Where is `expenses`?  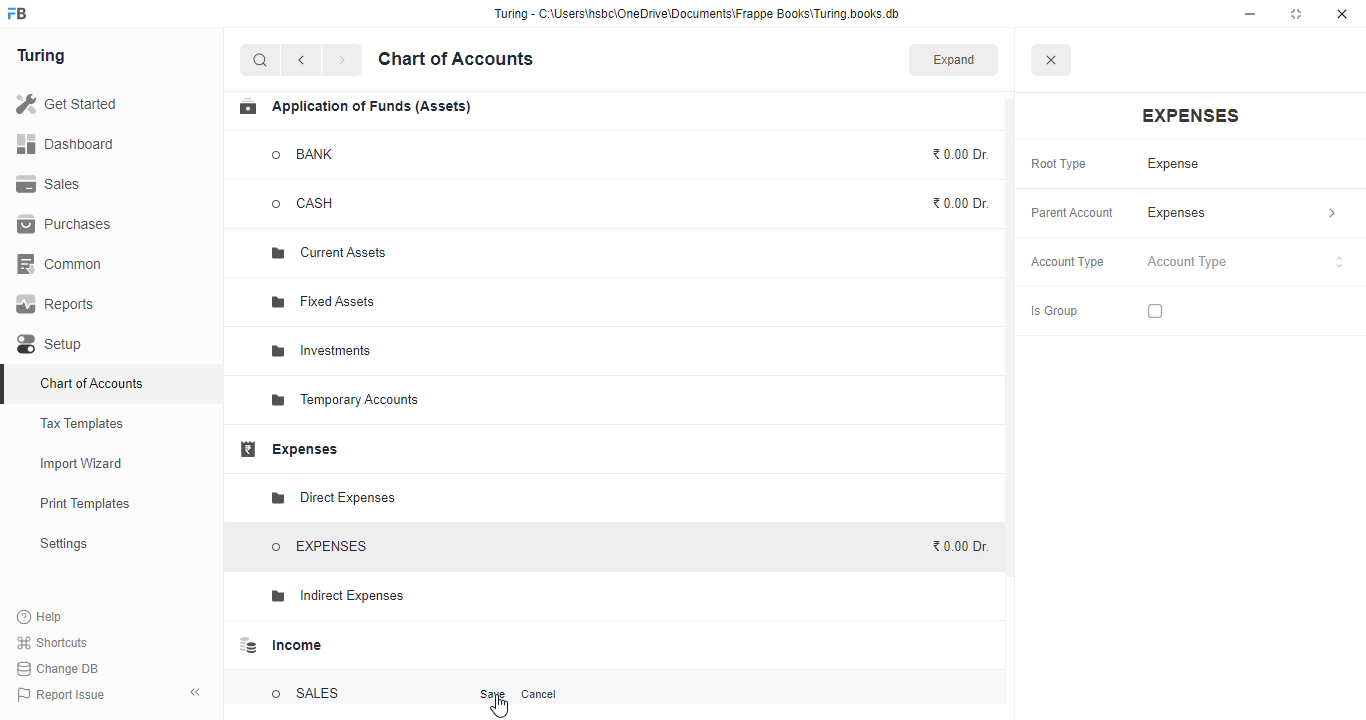 expenses is located at coordinates (1191, 116).